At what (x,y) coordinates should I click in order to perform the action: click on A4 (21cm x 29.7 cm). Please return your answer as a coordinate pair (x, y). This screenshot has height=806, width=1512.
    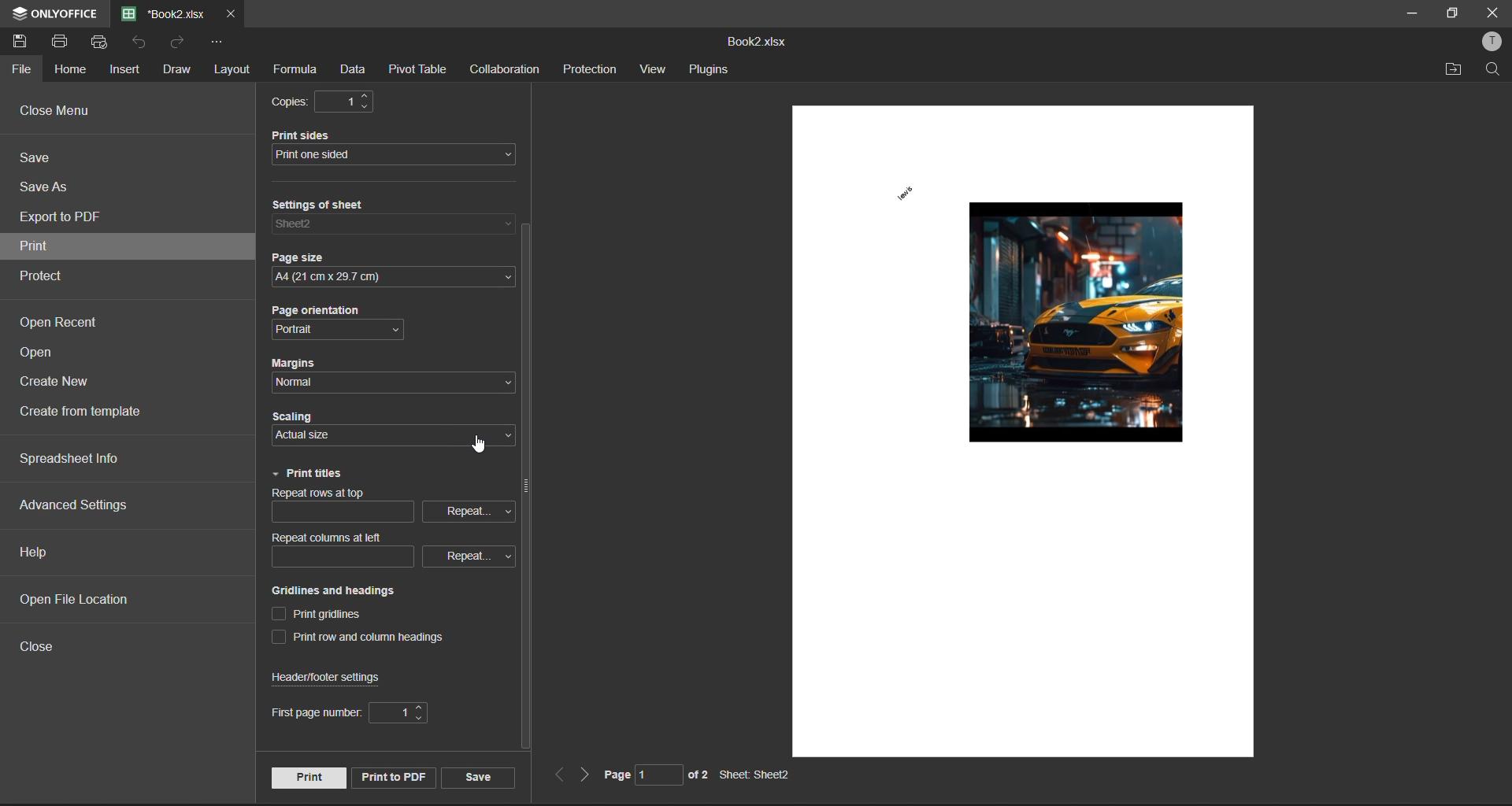
    Looking at the image, I should click on (382, 279).